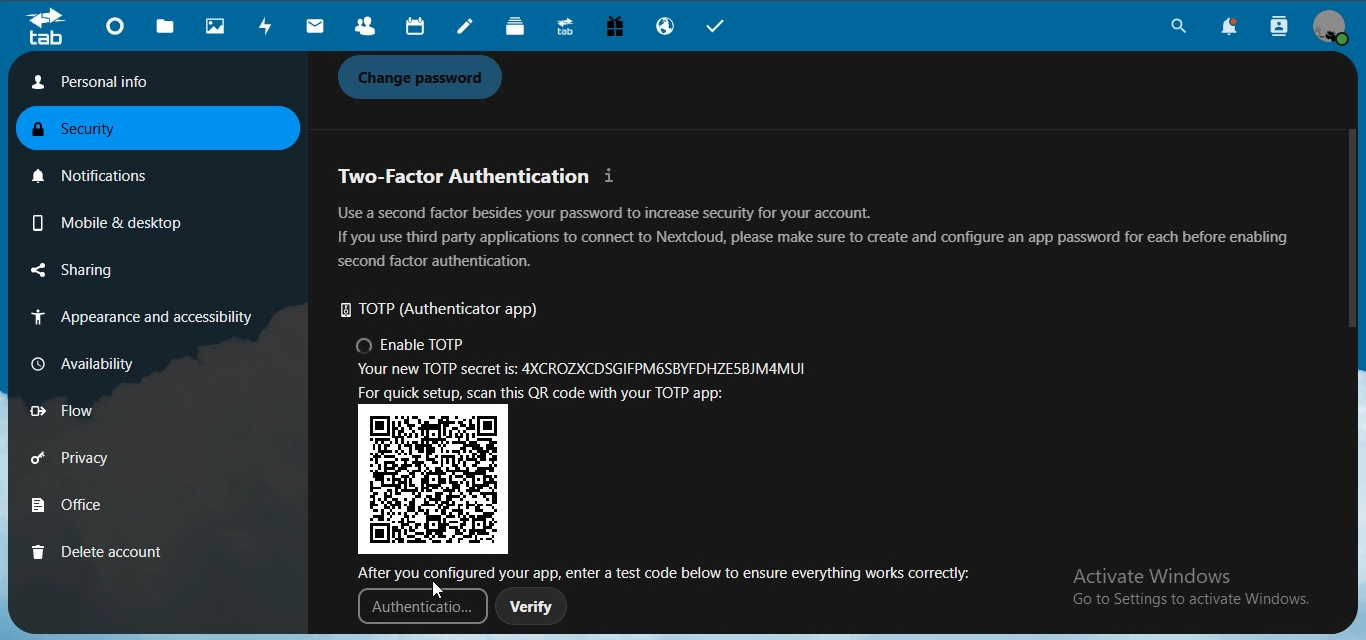  I want to click on two-factor authentication, so click(480, 176).